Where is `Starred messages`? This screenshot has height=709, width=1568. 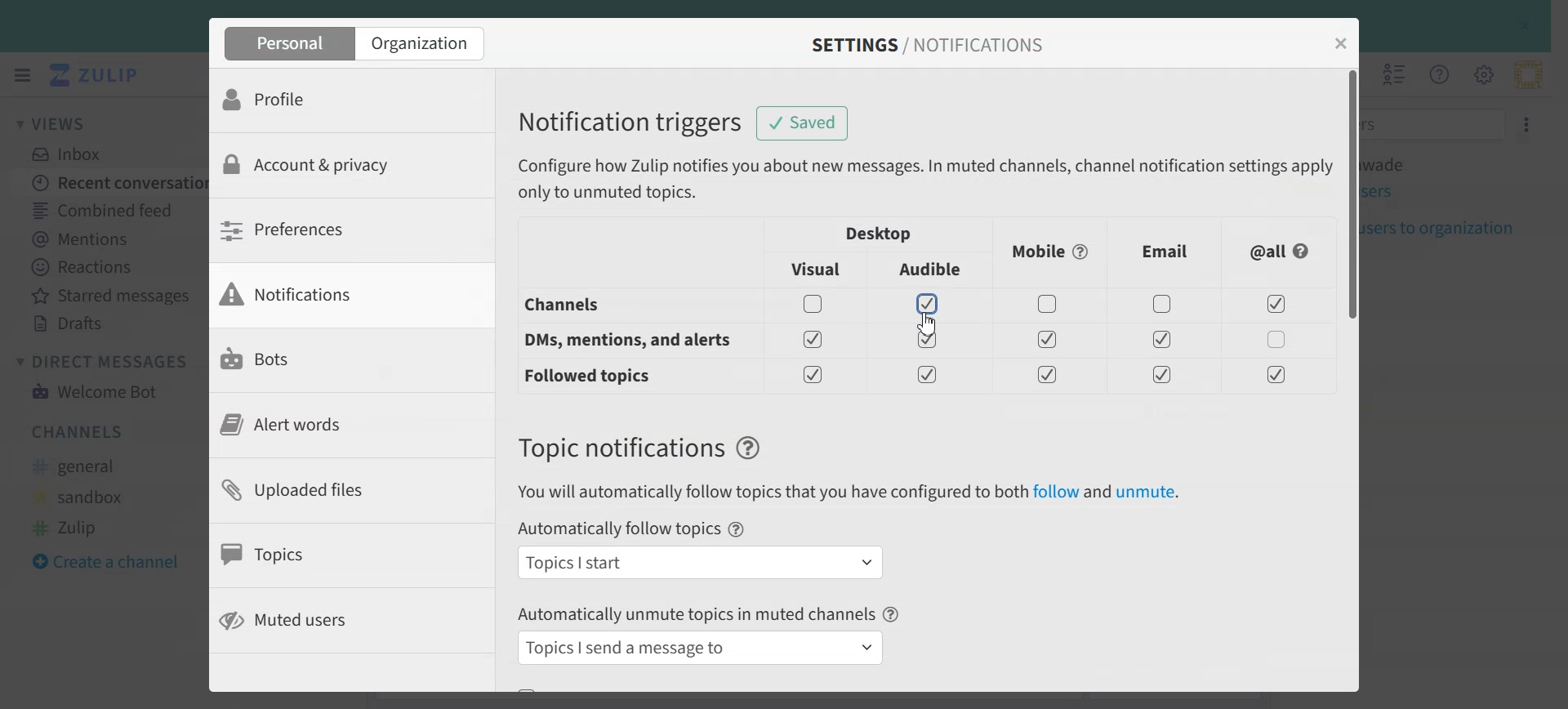 Starred messages is located at coordinates (109, 295).